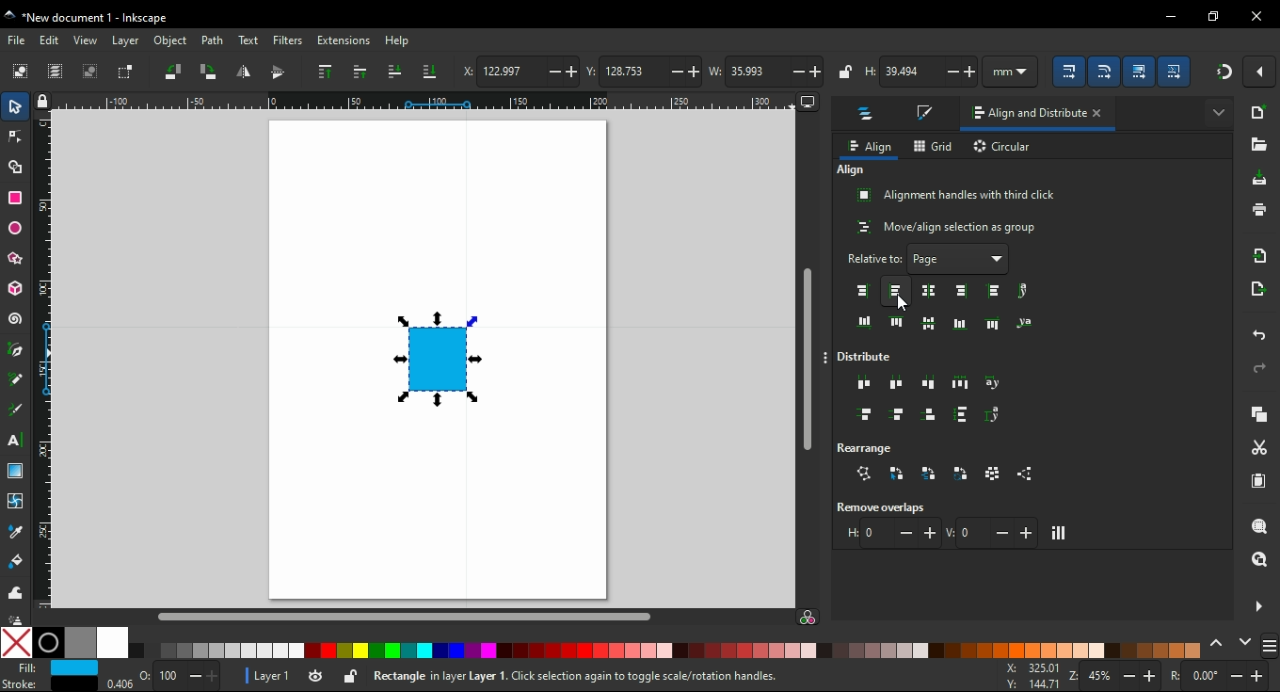 The image size is (1280, 692). Describe the element at coordinates (1138, 71) in the screenshot. I see `move gradients along with the objects` at that location.